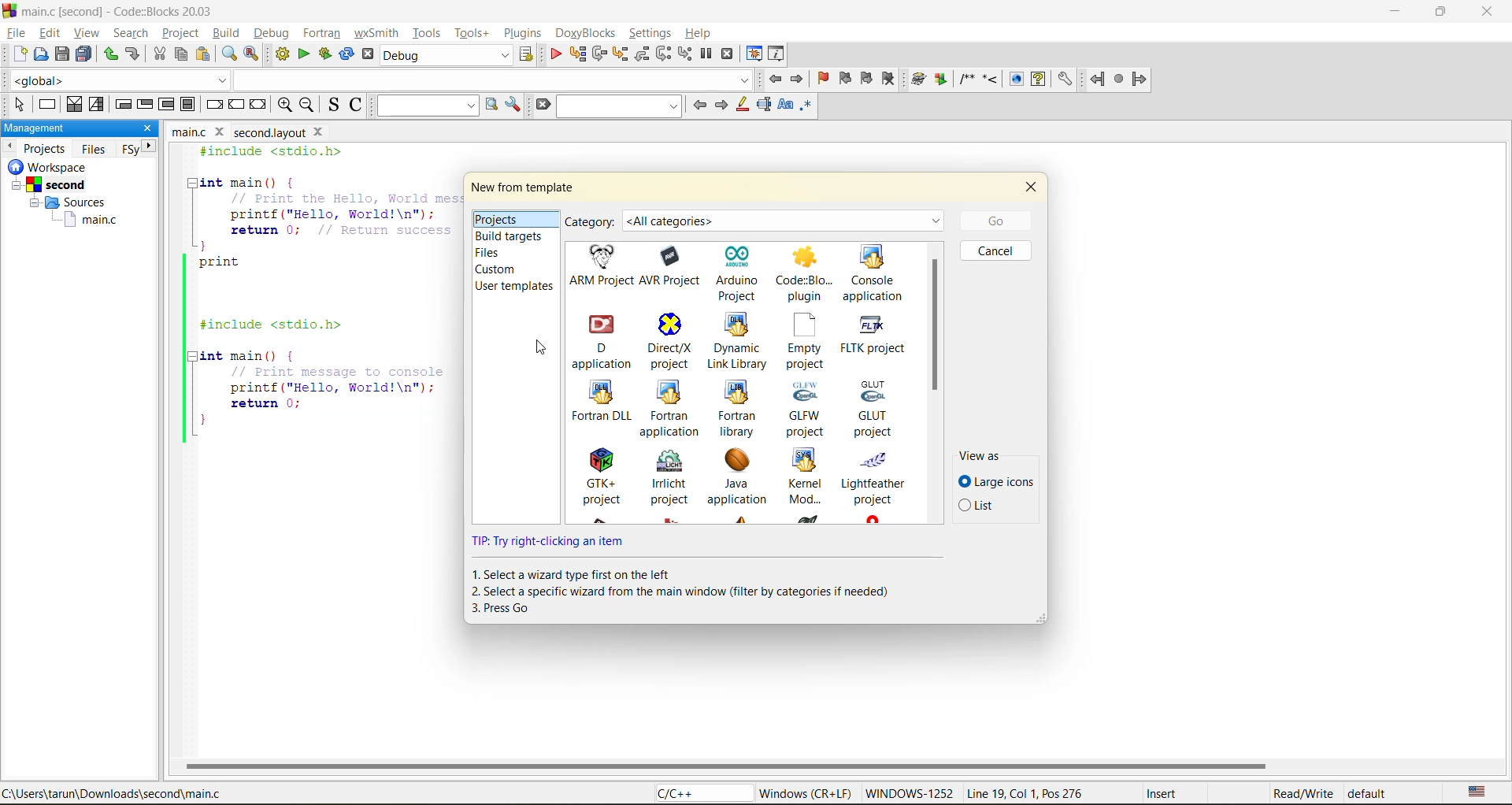 The image size is (1512, 805). I want to click on step out, so click(643, 55).